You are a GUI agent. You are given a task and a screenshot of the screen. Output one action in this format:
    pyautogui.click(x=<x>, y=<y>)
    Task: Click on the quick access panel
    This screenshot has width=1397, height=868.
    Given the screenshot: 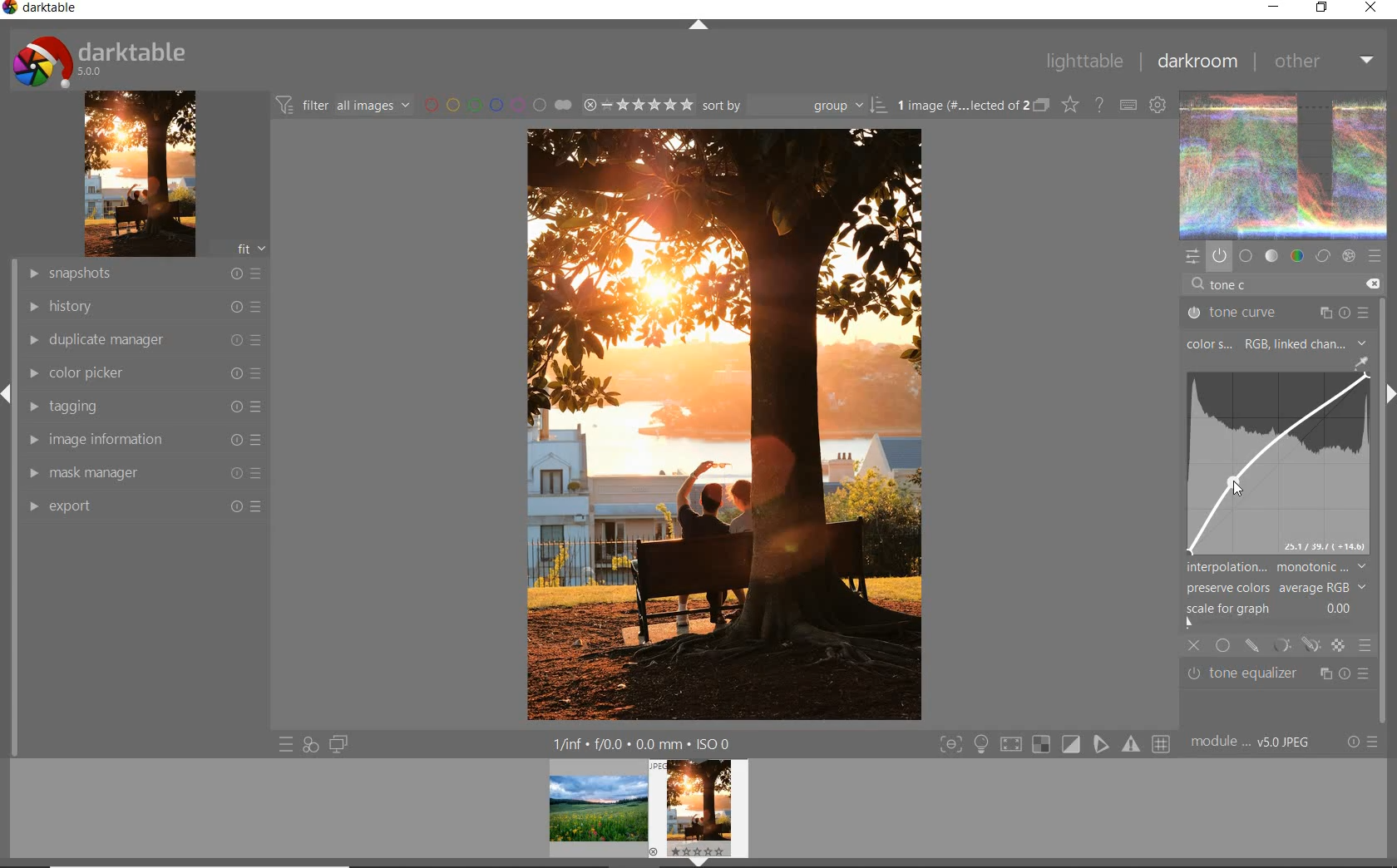 What is the action you would take?
    pyautogui.click(x=1193, y=255)
    